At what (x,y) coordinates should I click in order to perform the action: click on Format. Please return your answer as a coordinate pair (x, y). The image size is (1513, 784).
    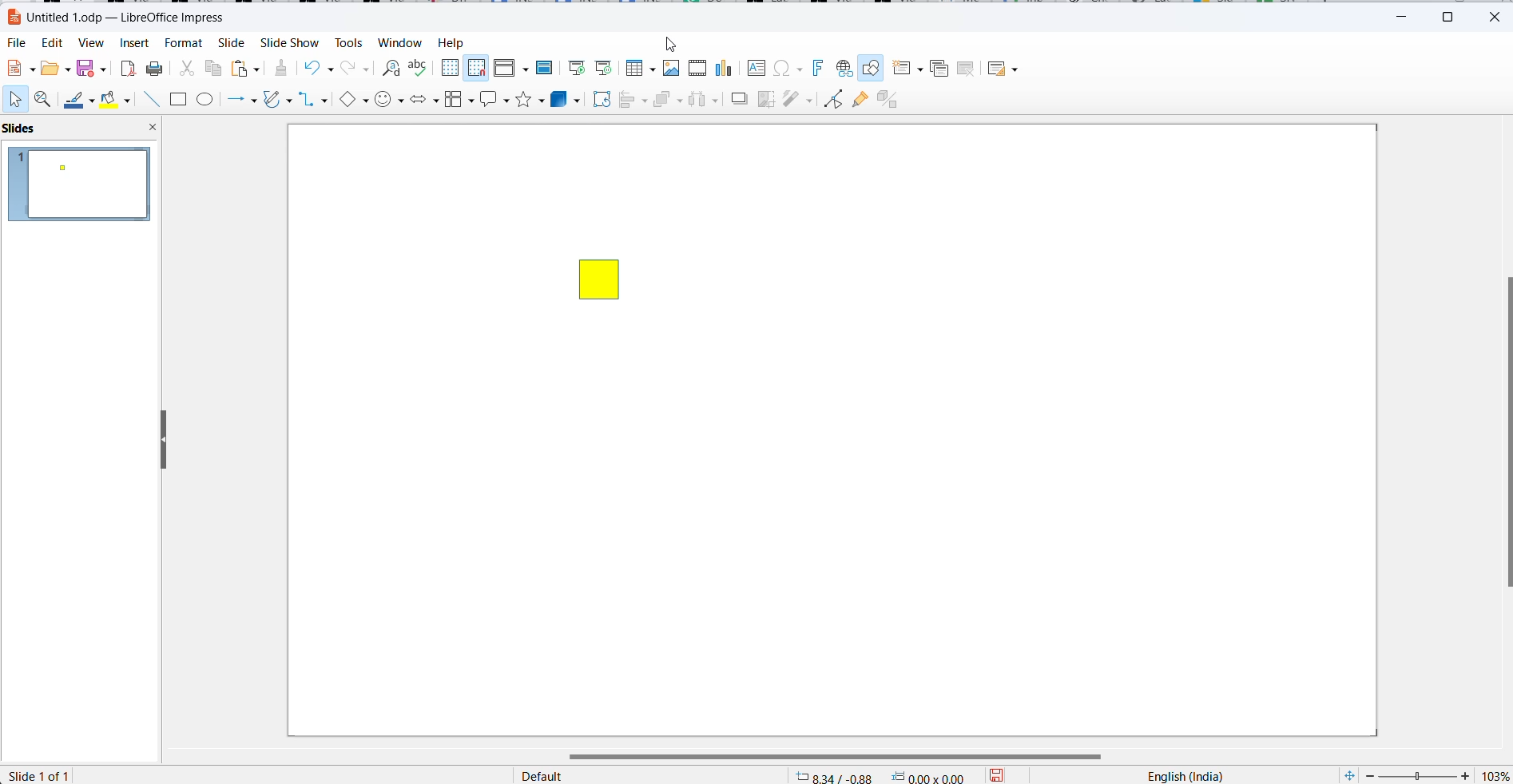
    Looking at the image, I should click on (183, 44).